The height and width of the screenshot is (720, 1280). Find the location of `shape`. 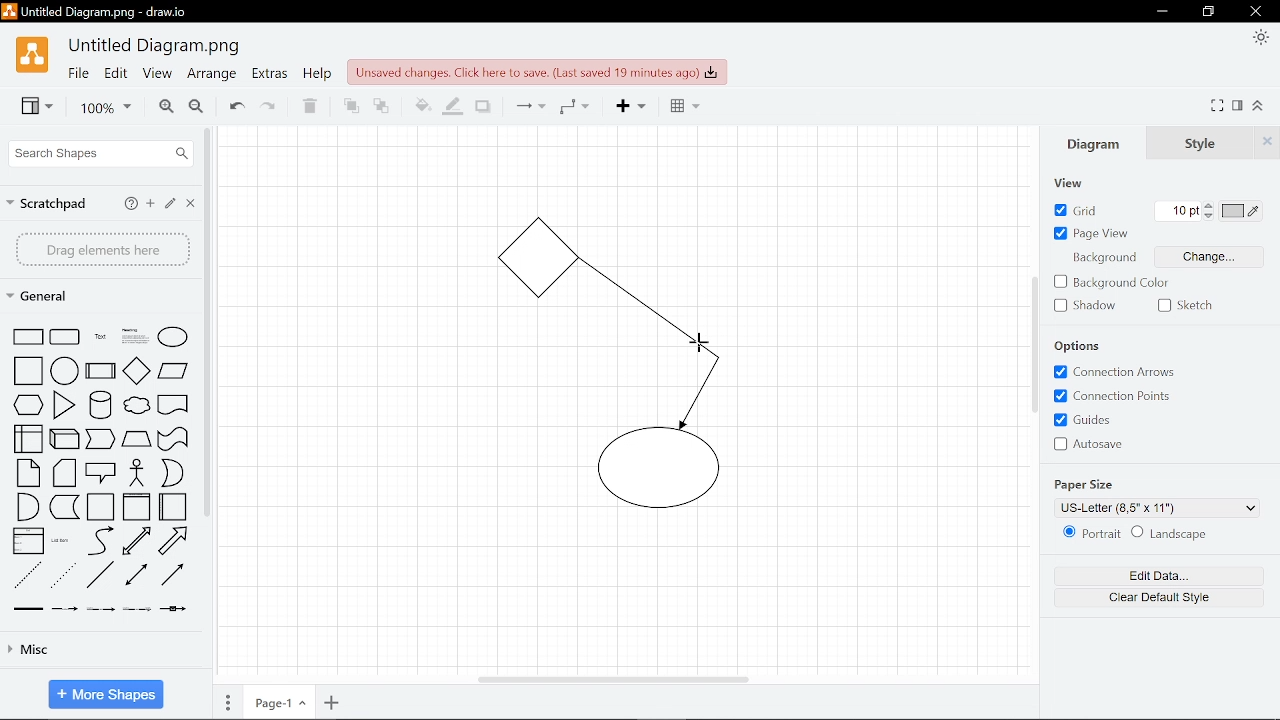

shape is located at coordinates (27, 575).